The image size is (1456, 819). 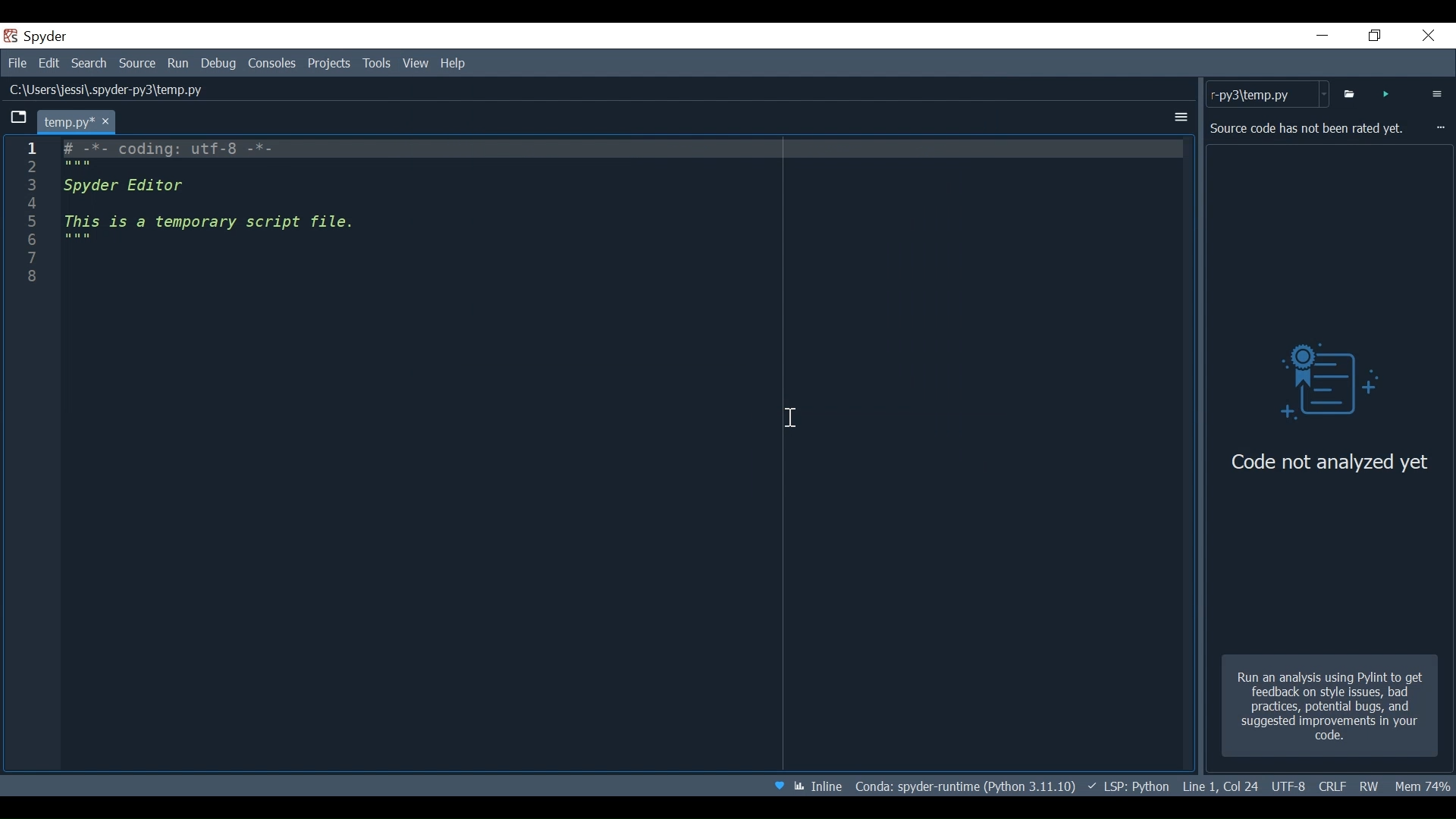 I want to click on Help, so click(x=453, y=63).